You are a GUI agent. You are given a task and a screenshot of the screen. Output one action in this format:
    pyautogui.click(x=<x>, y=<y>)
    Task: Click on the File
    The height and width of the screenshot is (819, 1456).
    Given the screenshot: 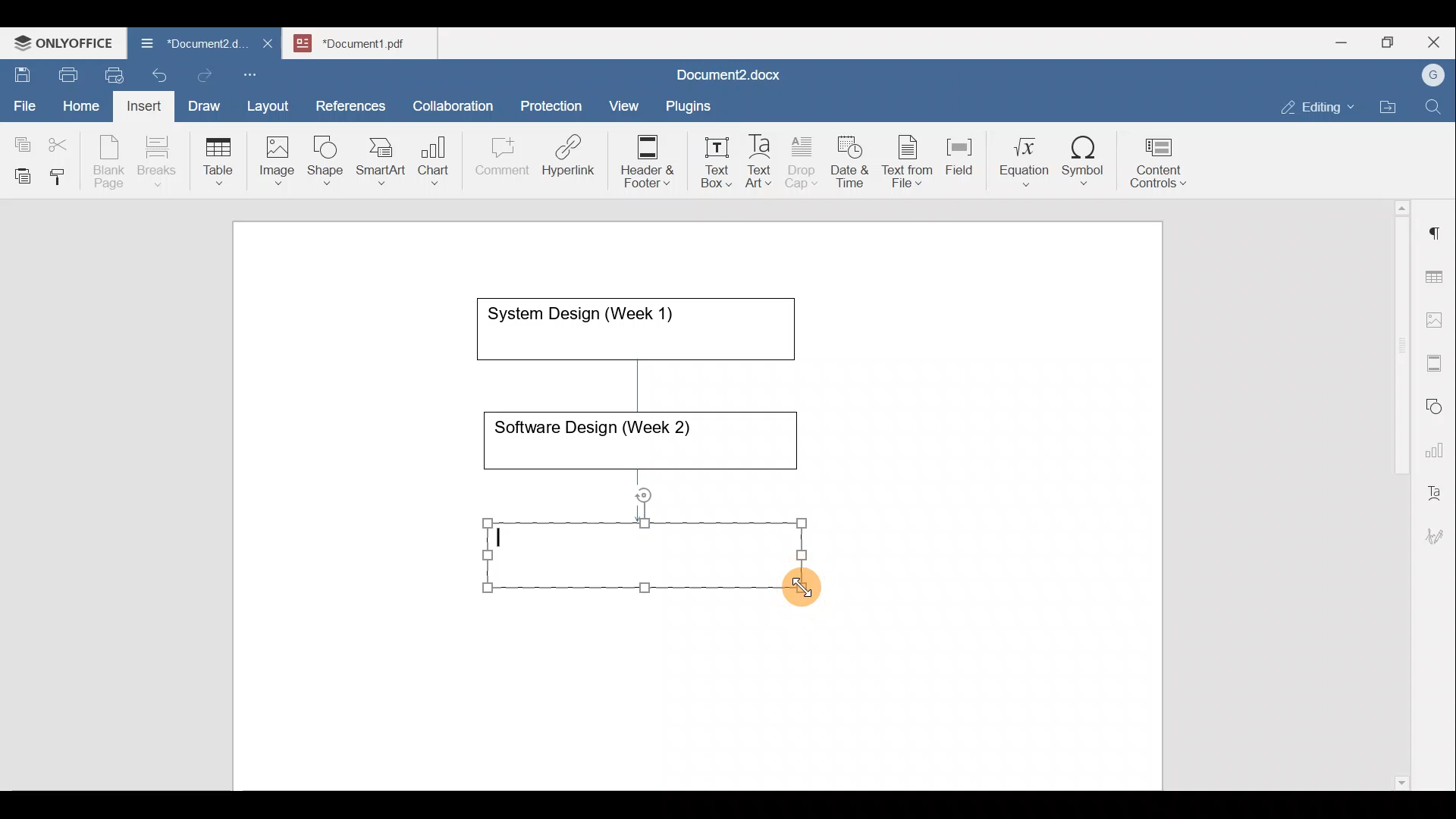 What is the action you would take?
    pyautogui.click(x=26, y=101)
    